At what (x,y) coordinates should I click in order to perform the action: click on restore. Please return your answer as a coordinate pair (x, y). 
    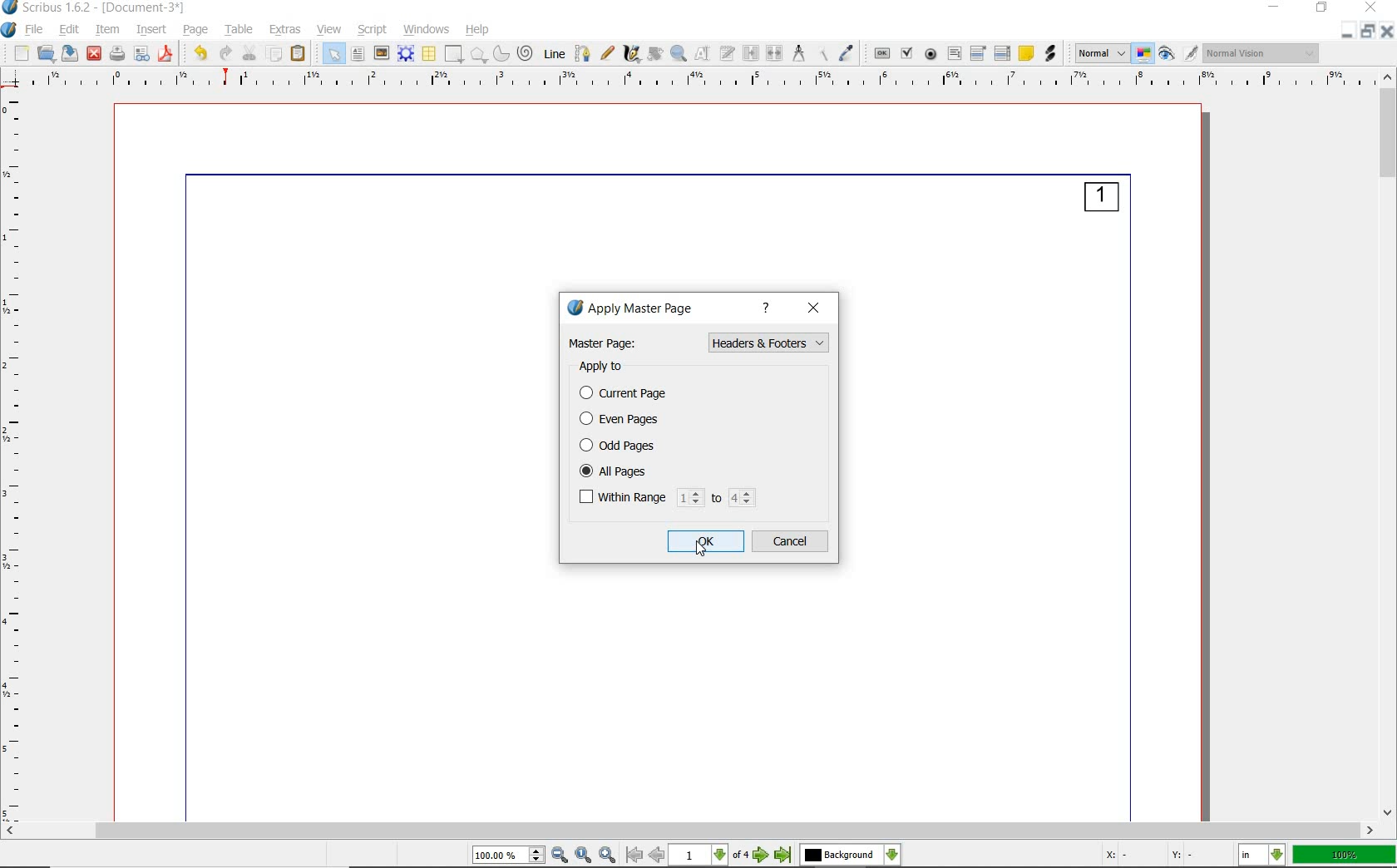
    Looking at the image, I should click on (1369, 32).